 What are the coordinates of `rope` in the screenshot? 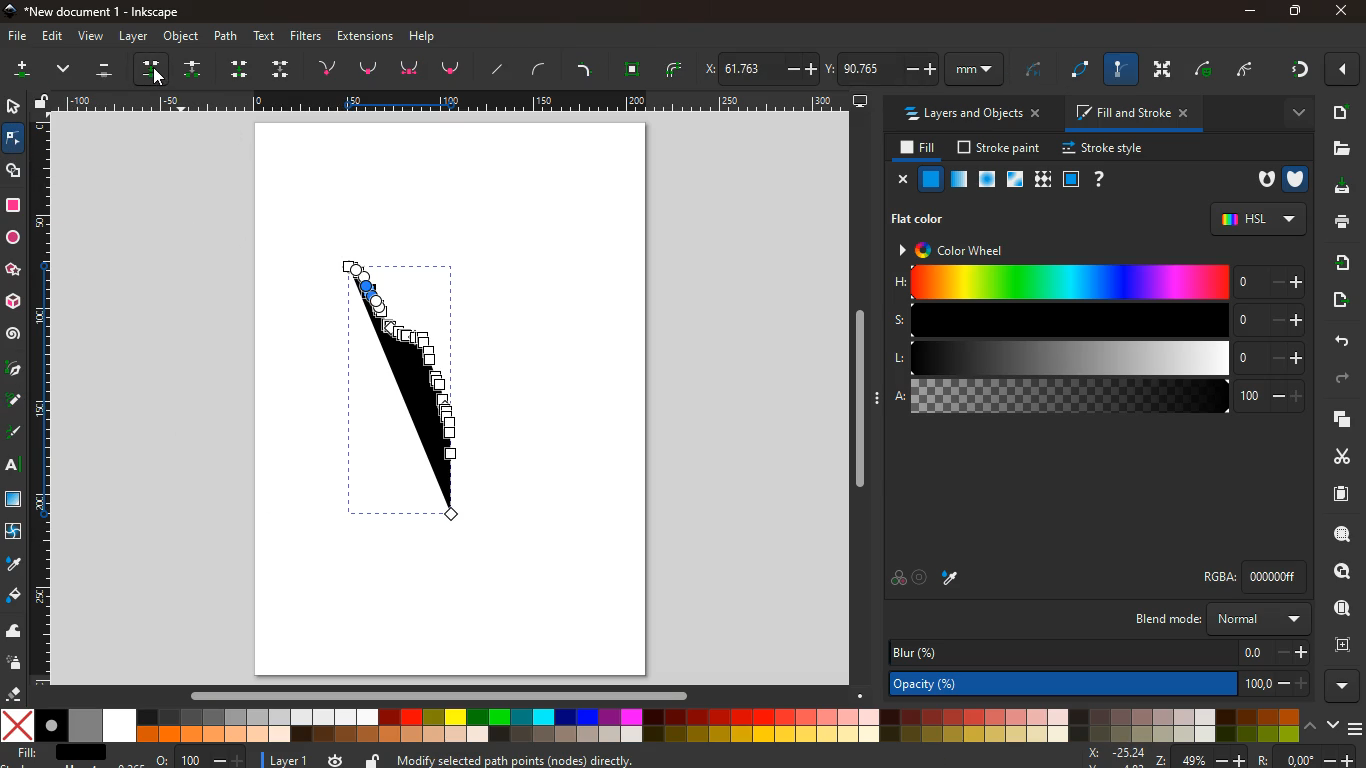 It's located at (1083, 70).